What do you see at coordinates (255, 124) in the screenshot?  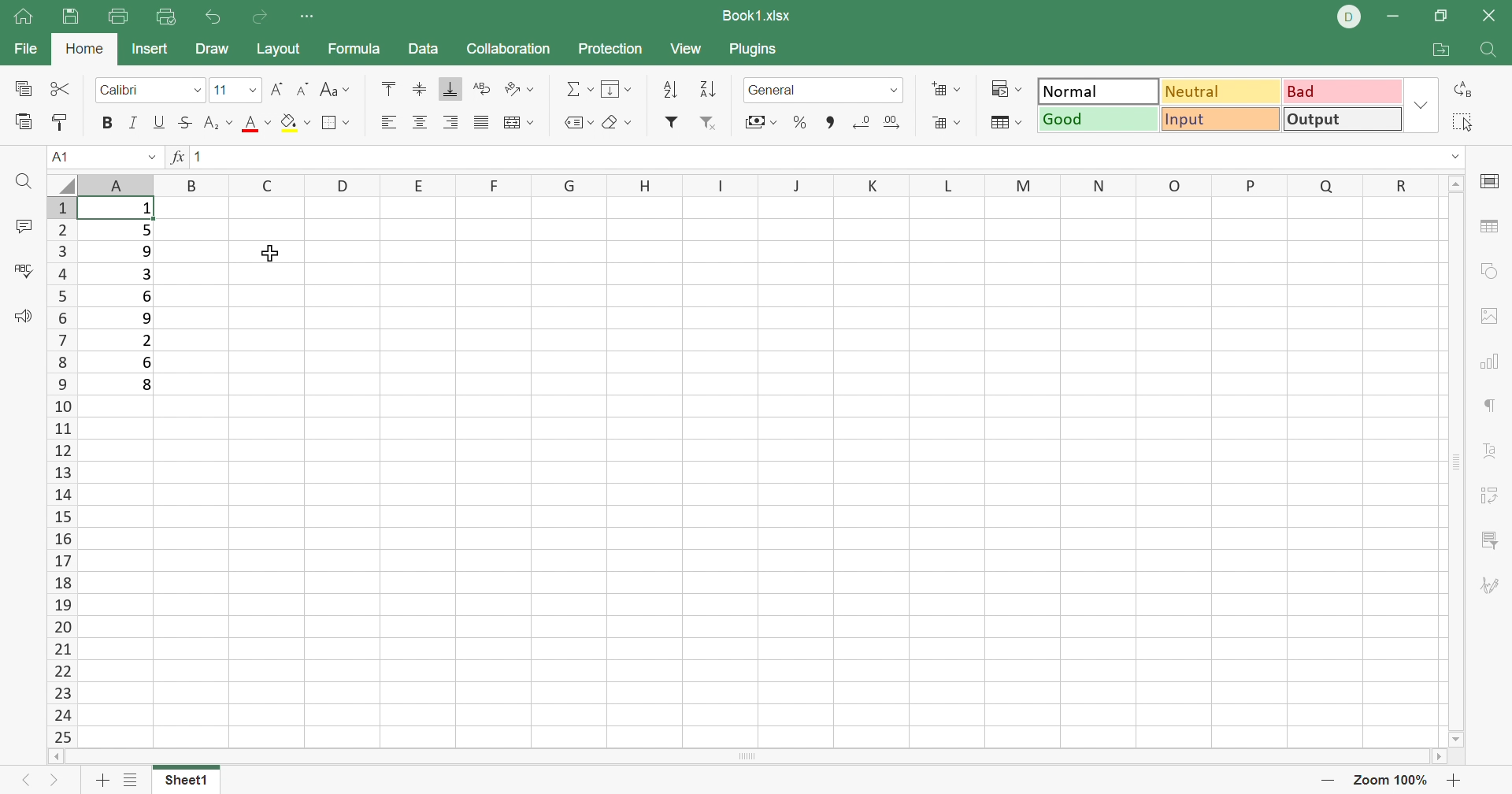 I see `Align top` at bounding box center [255, 124].